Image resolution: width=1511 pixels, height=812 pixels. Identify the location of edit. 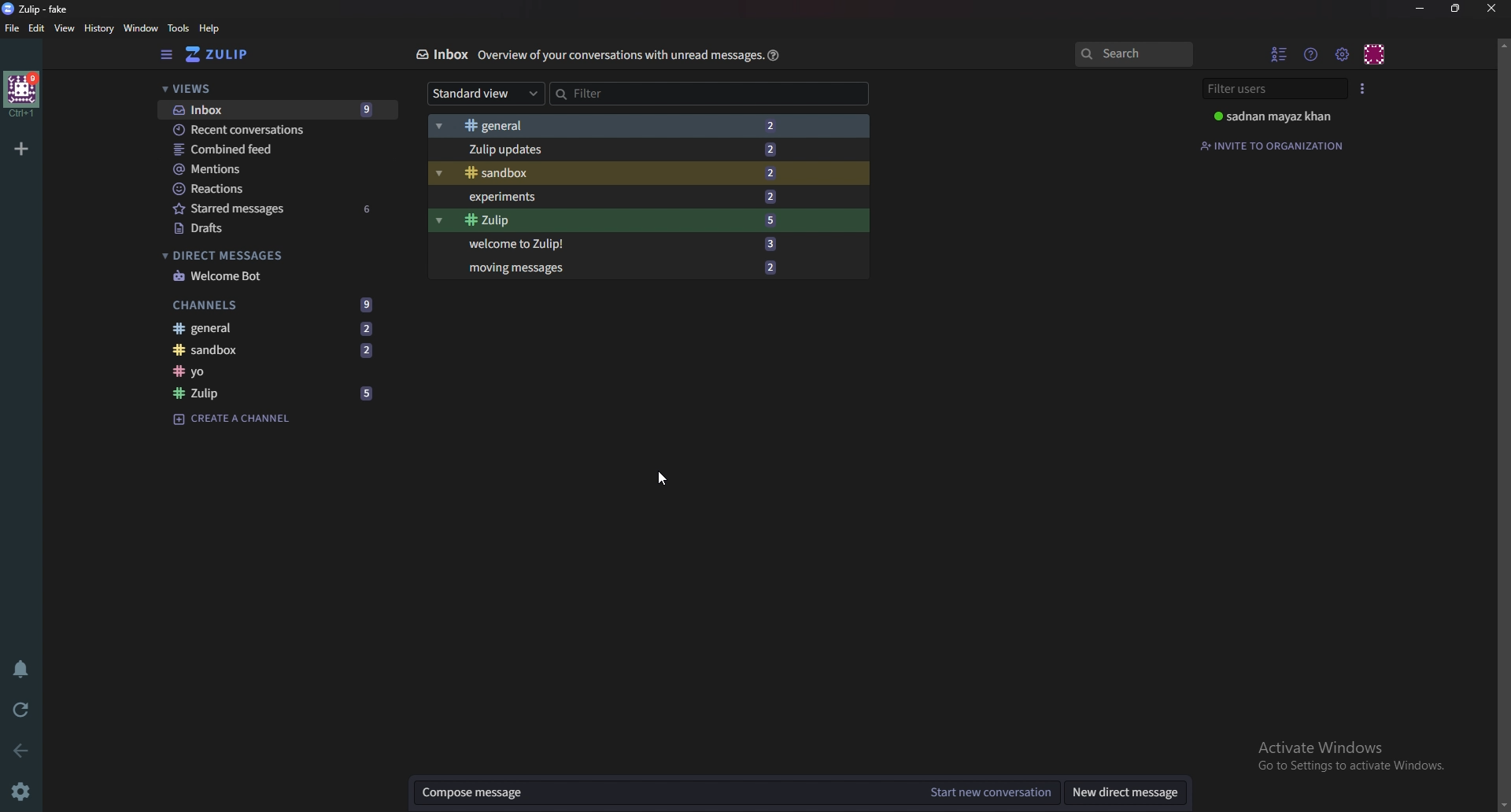
(37, 28).